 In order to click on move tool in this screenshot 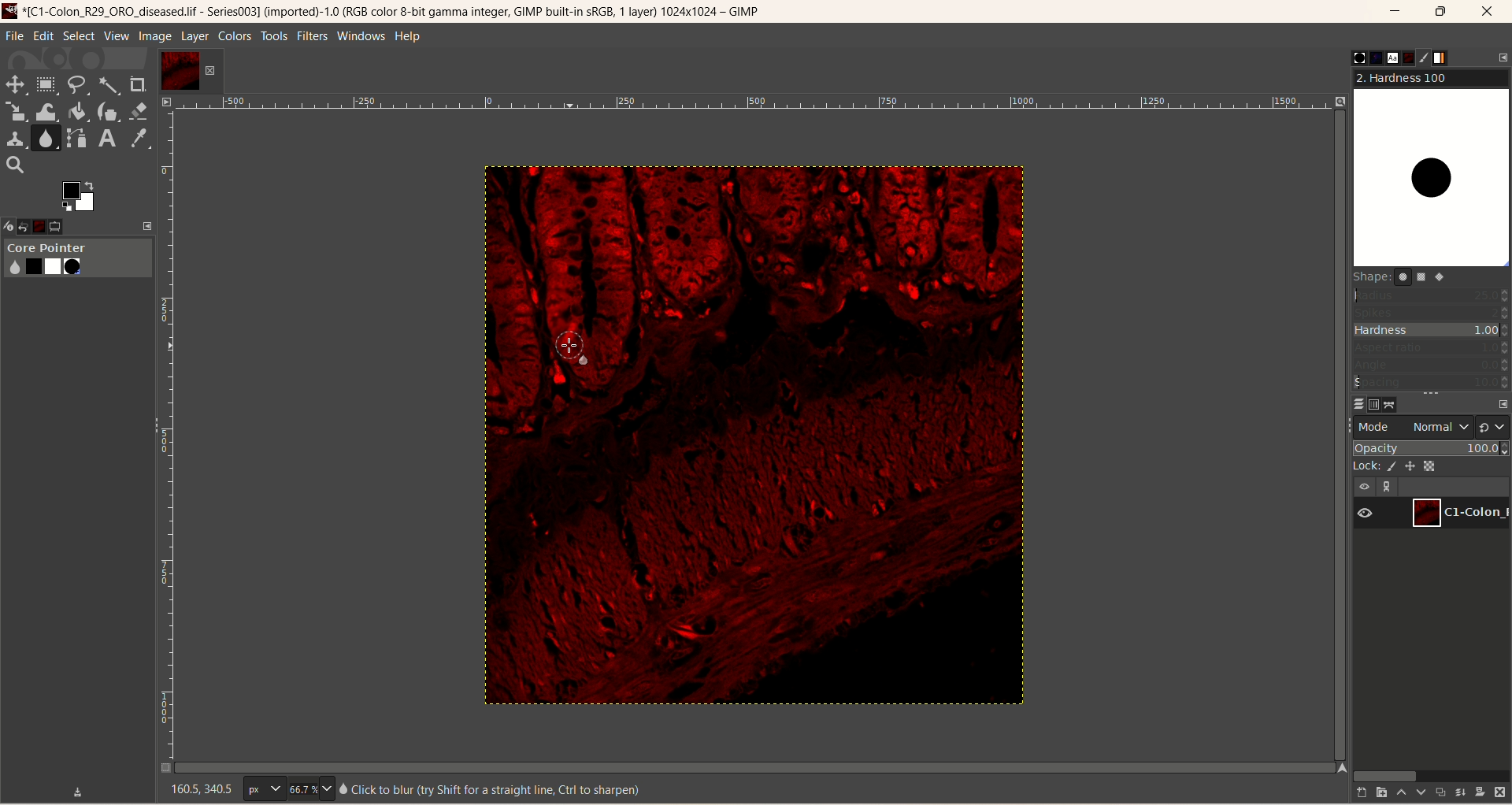, I will do `click(13, 83)`.